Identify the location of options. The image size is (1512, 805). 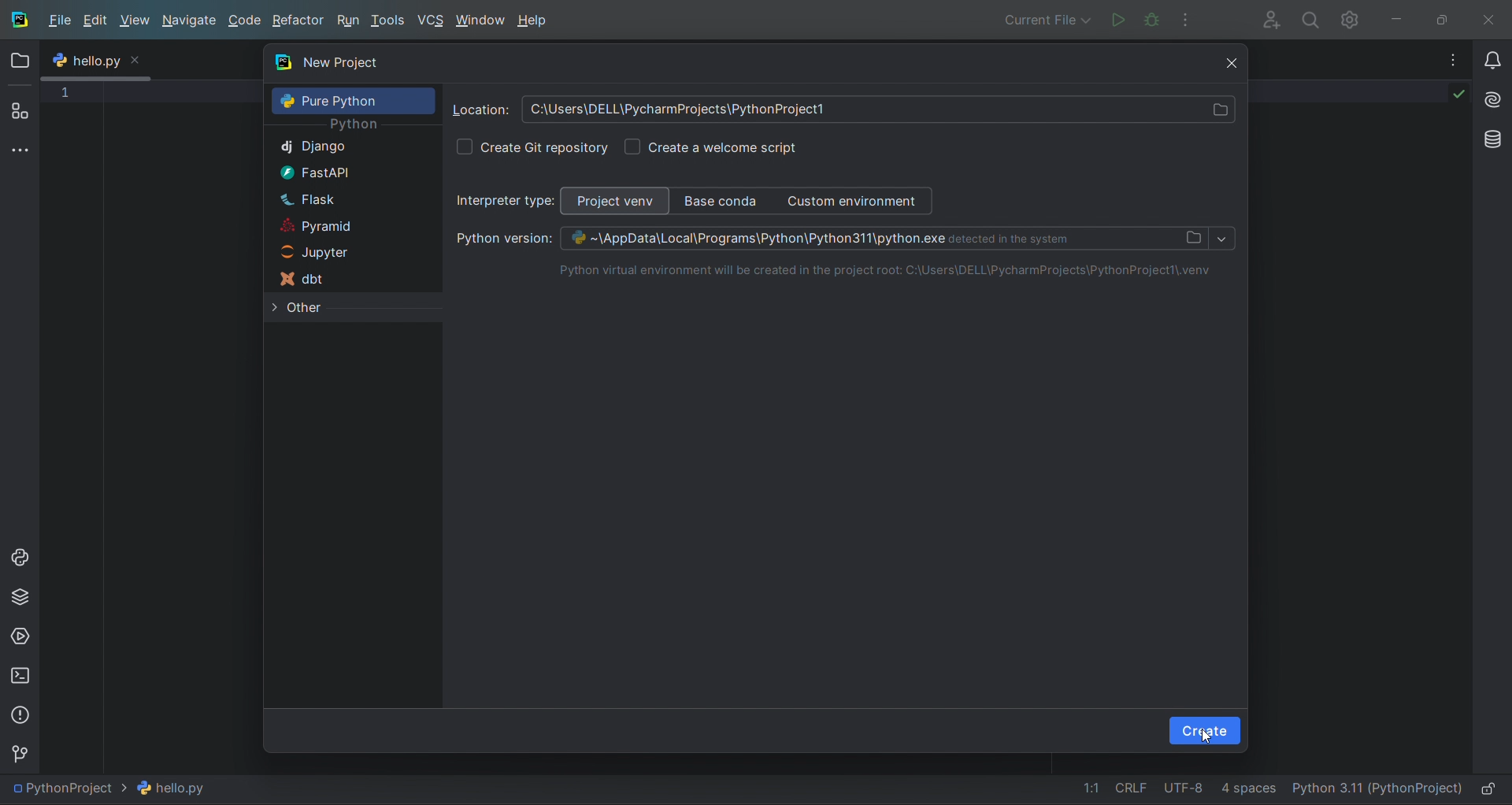
(1444, 59).